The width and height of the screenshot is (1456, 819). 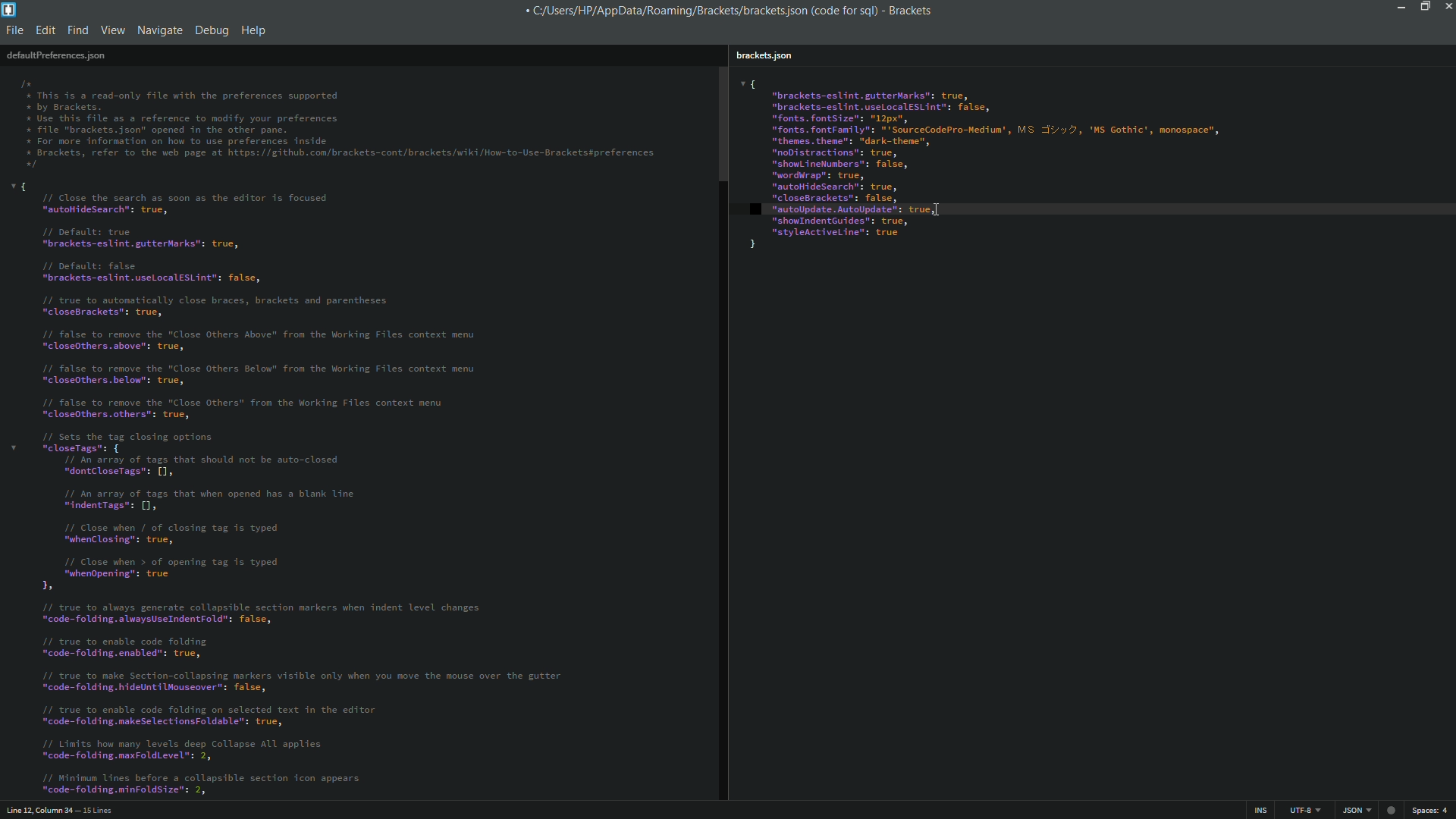 What do you see at coordinates (212, 28) in the screenshot?
I see `debug menu` at bounding box center [212, 28].